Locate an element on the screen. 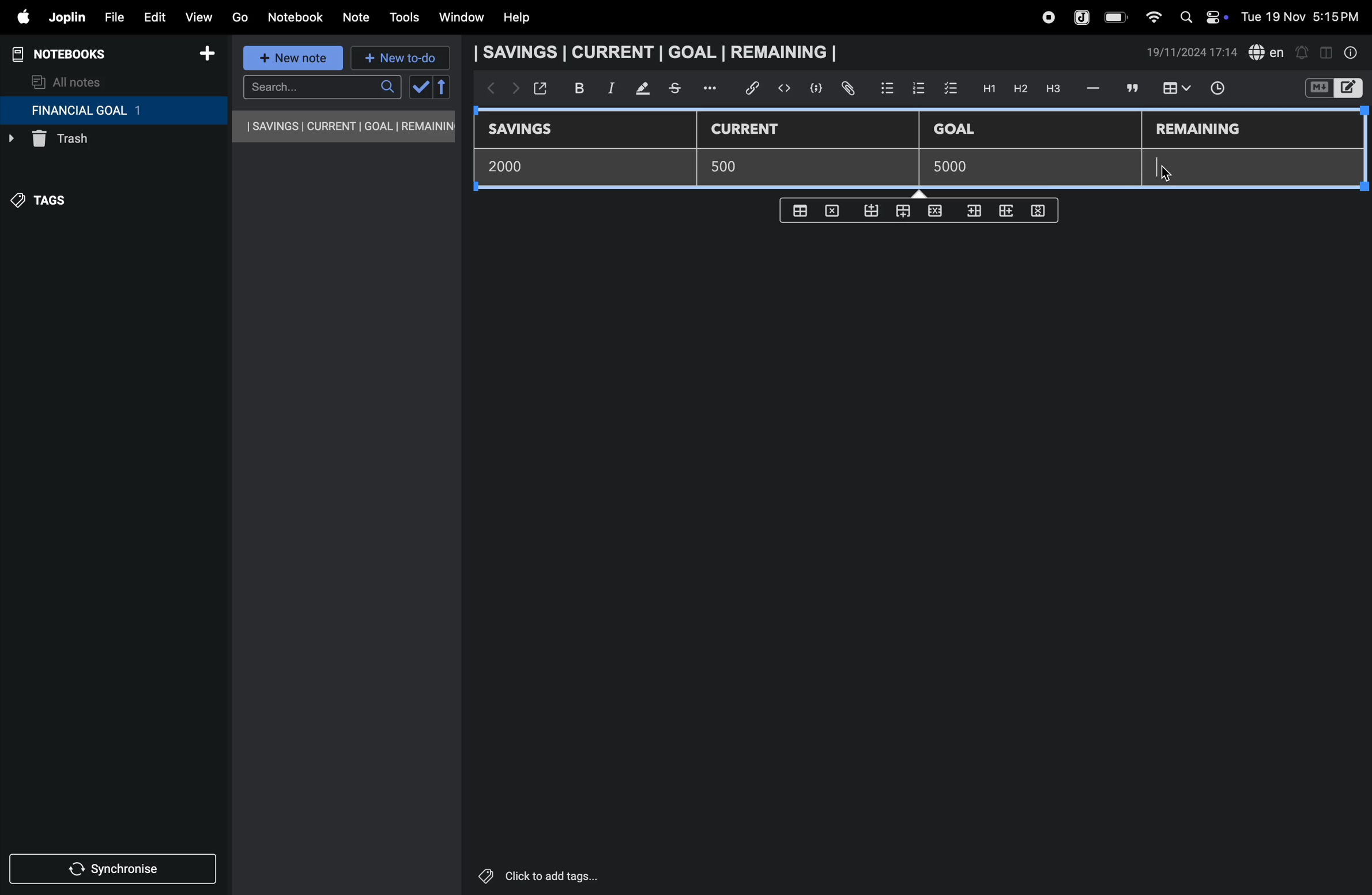 This screenshot has height=895, width=1372. synchronize is located at coordinates (114, 867).